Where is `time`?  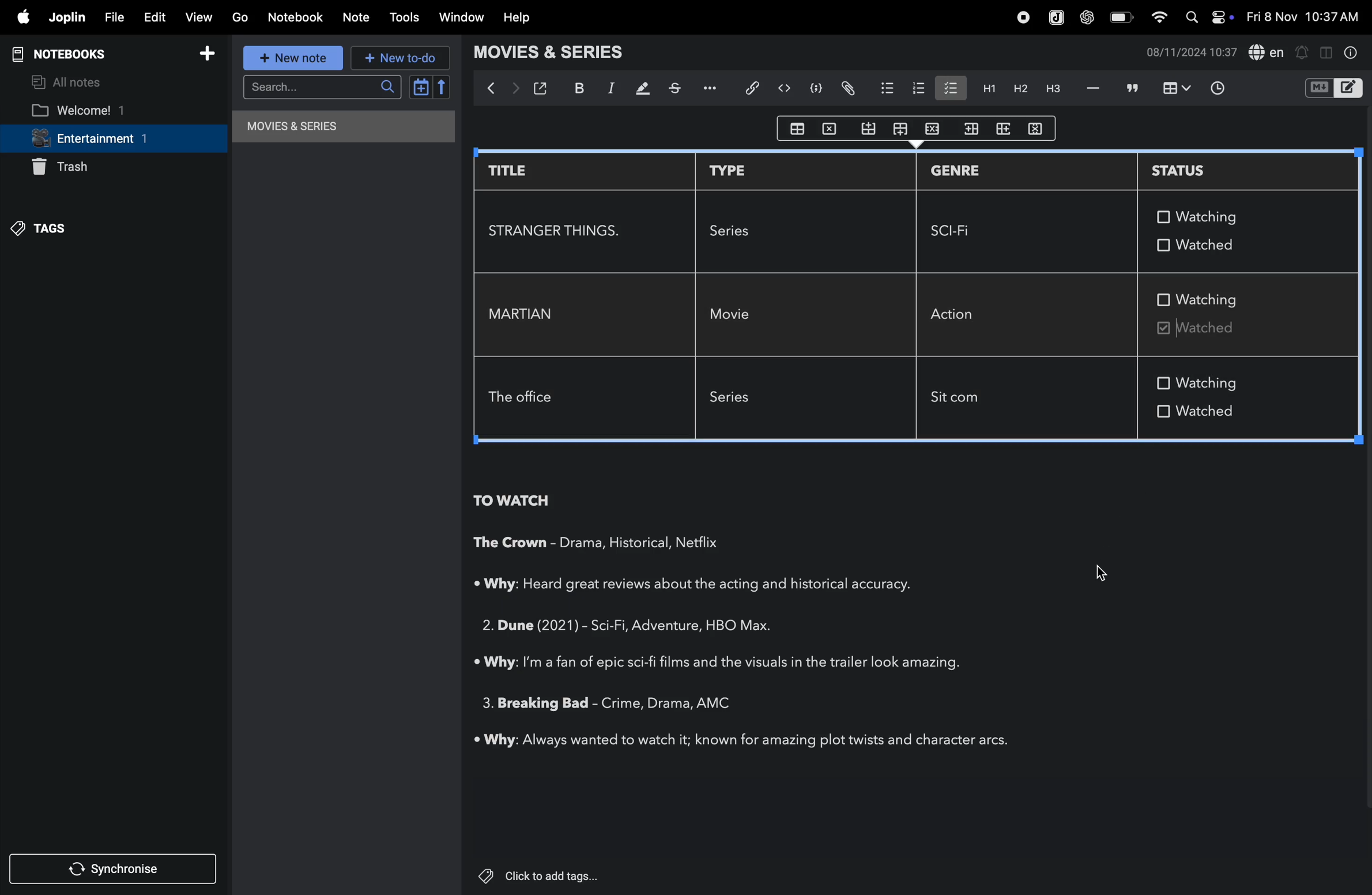 time is located at coordinates (1220, 88).